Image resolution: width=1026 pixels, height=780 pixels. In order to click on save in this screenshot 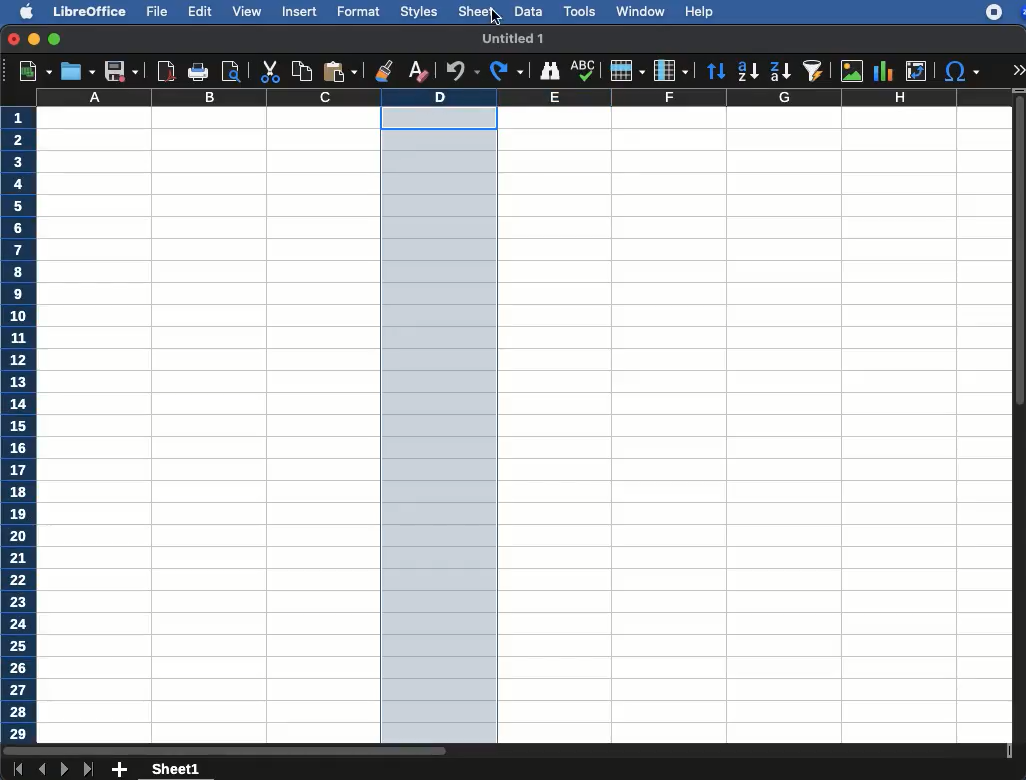, I will do `click(76, 71)`.